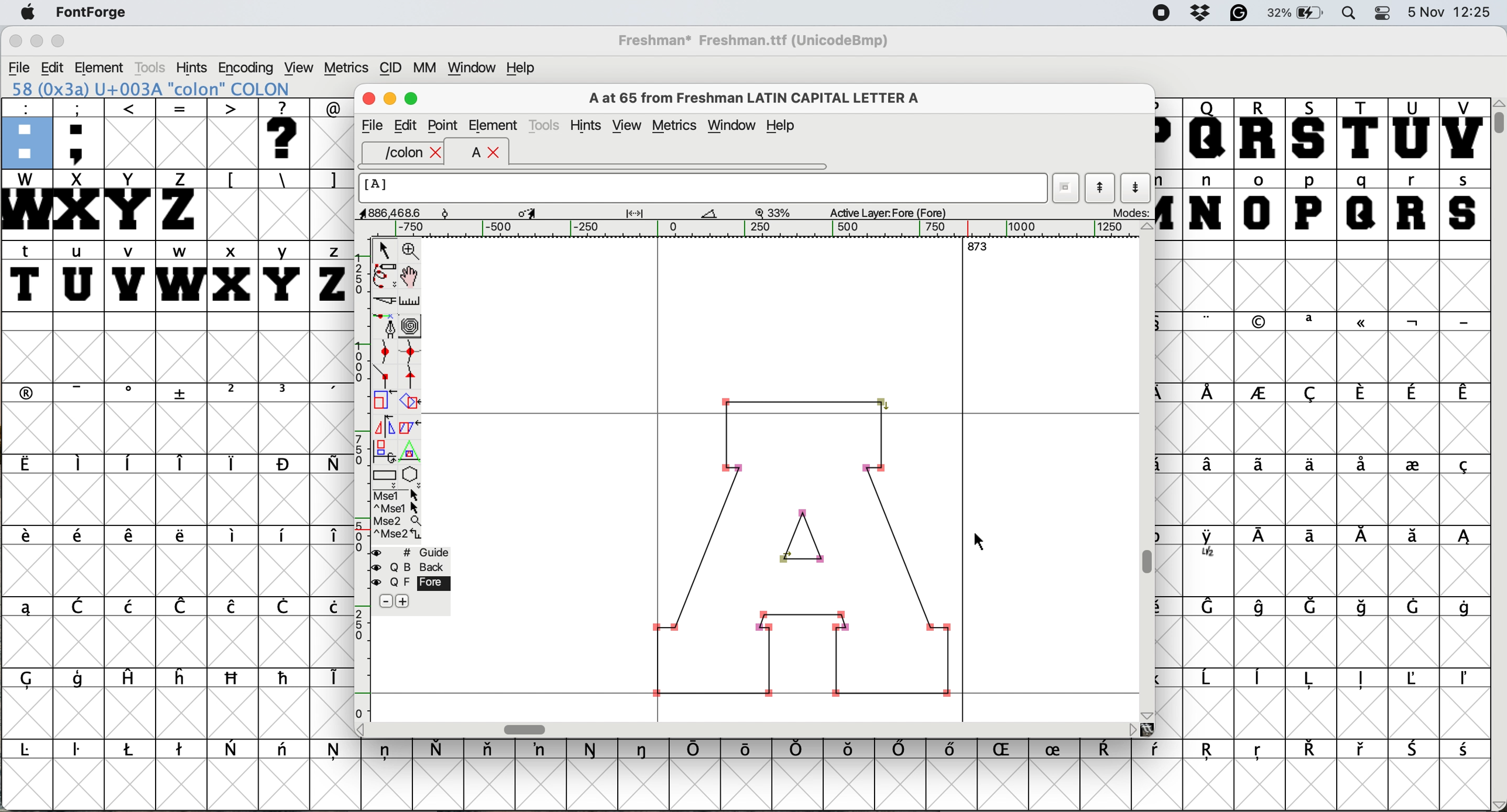 The image size is (1507, 812). What do you see at coordinates (546, 125) in the screenshot?
I see `tools` at bounding box center [546, 125].